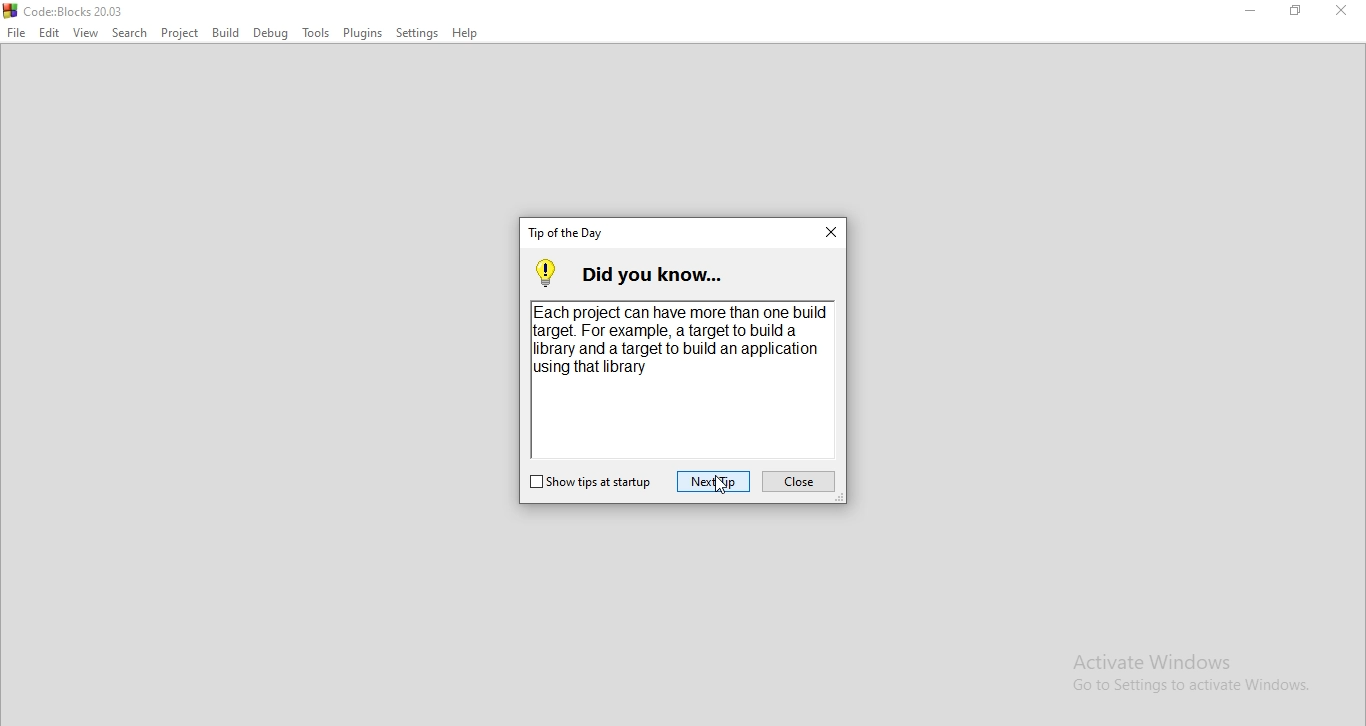 The width and height of the screenshot is (1366, 726). What do you see at coordinates (15, 33) in the screenshot?
I see `File` at bounding box center [15, 33].